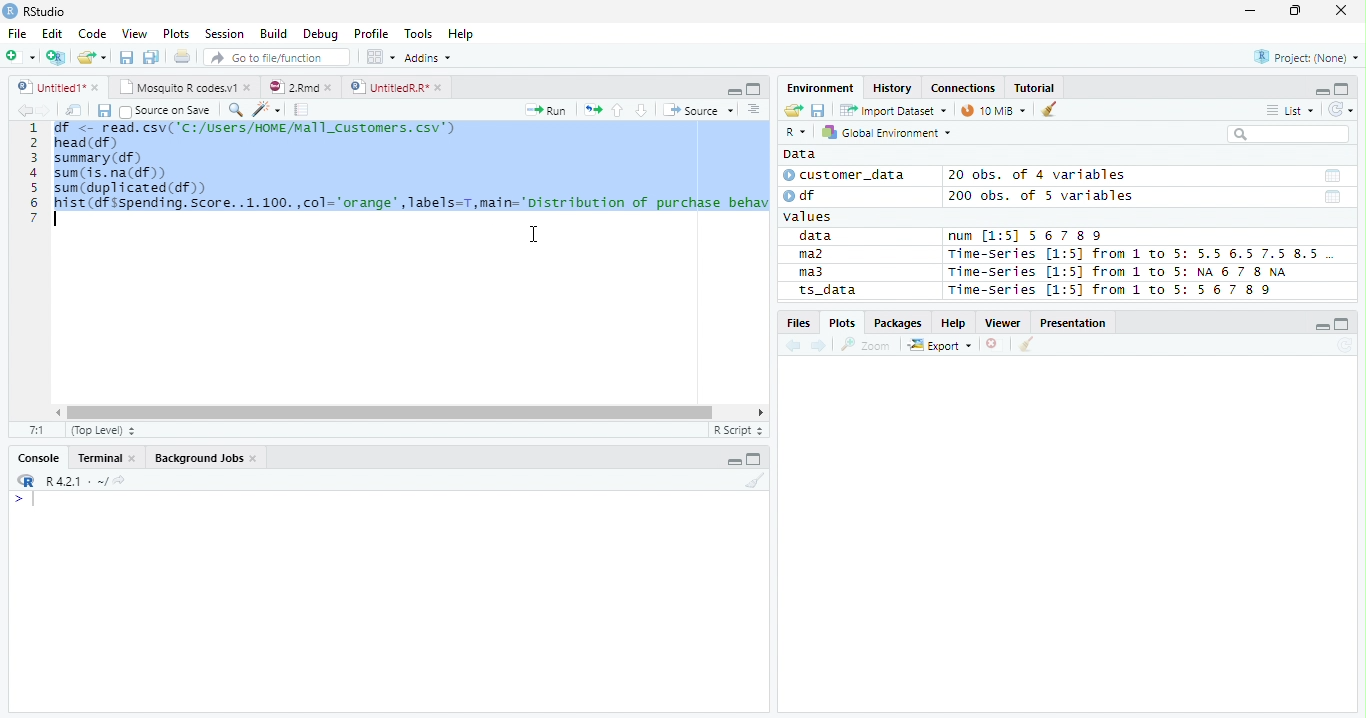 This screenshot has height=718, width=1366. Describe the element at coordinates (641, 111) in the screenshot. I see `Down` at that location.